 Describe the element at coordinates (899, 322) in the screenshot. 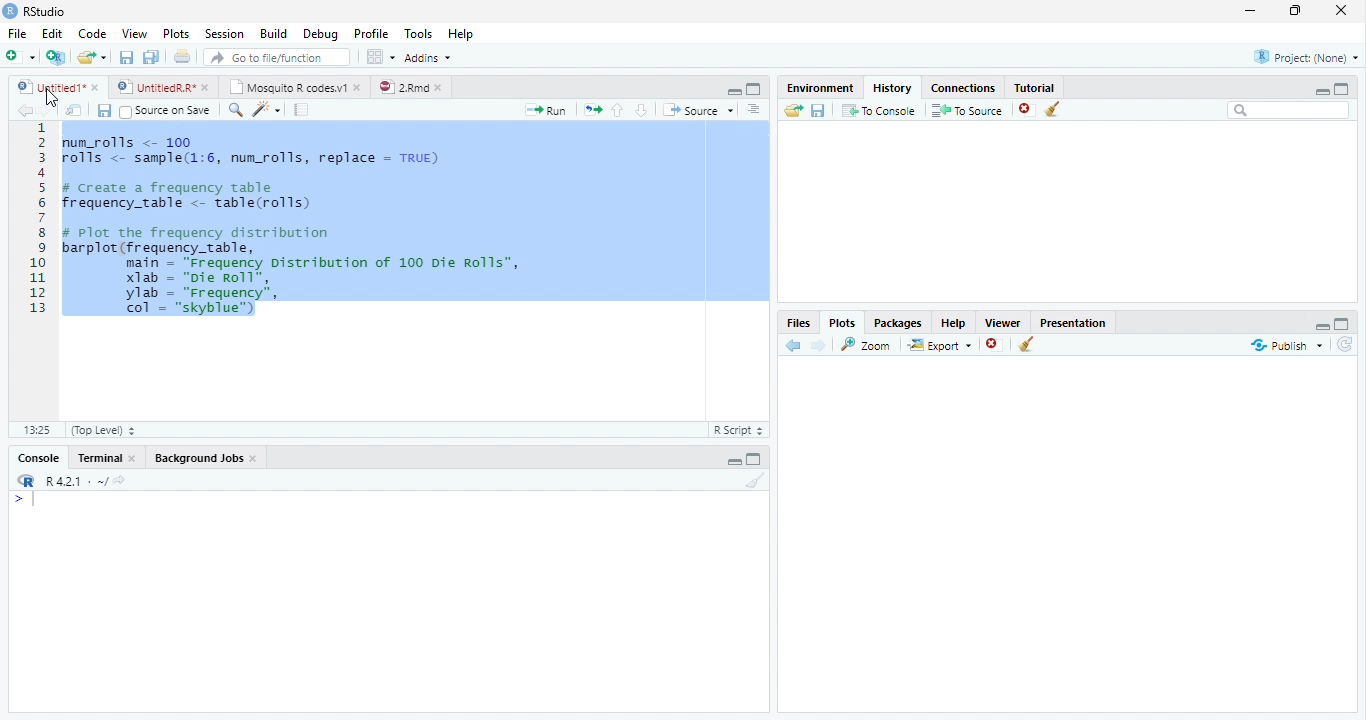

I see `Packages` at that location.